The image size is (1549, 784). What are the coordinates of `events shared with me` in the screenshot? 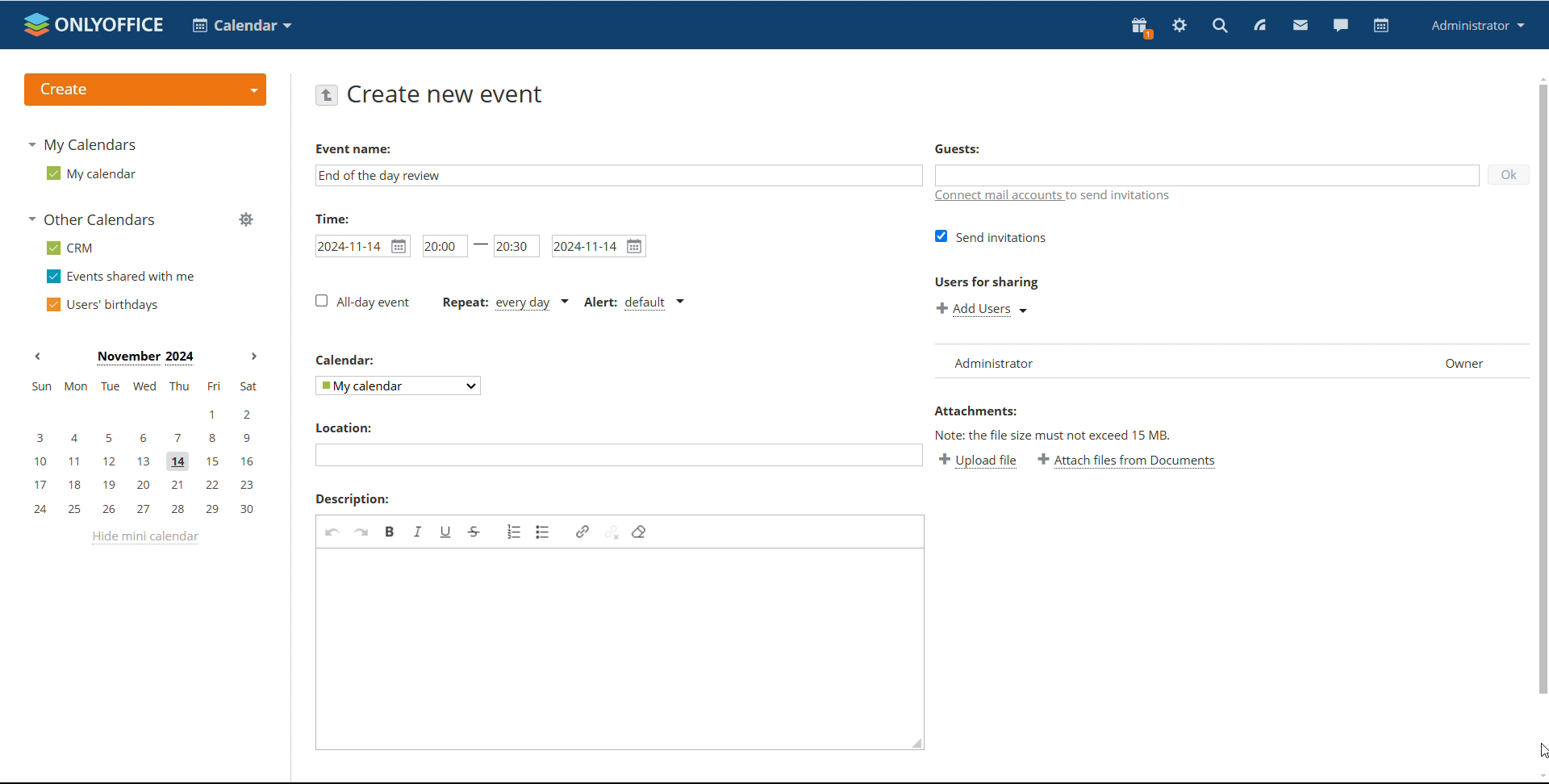 It's located at (123, 276).